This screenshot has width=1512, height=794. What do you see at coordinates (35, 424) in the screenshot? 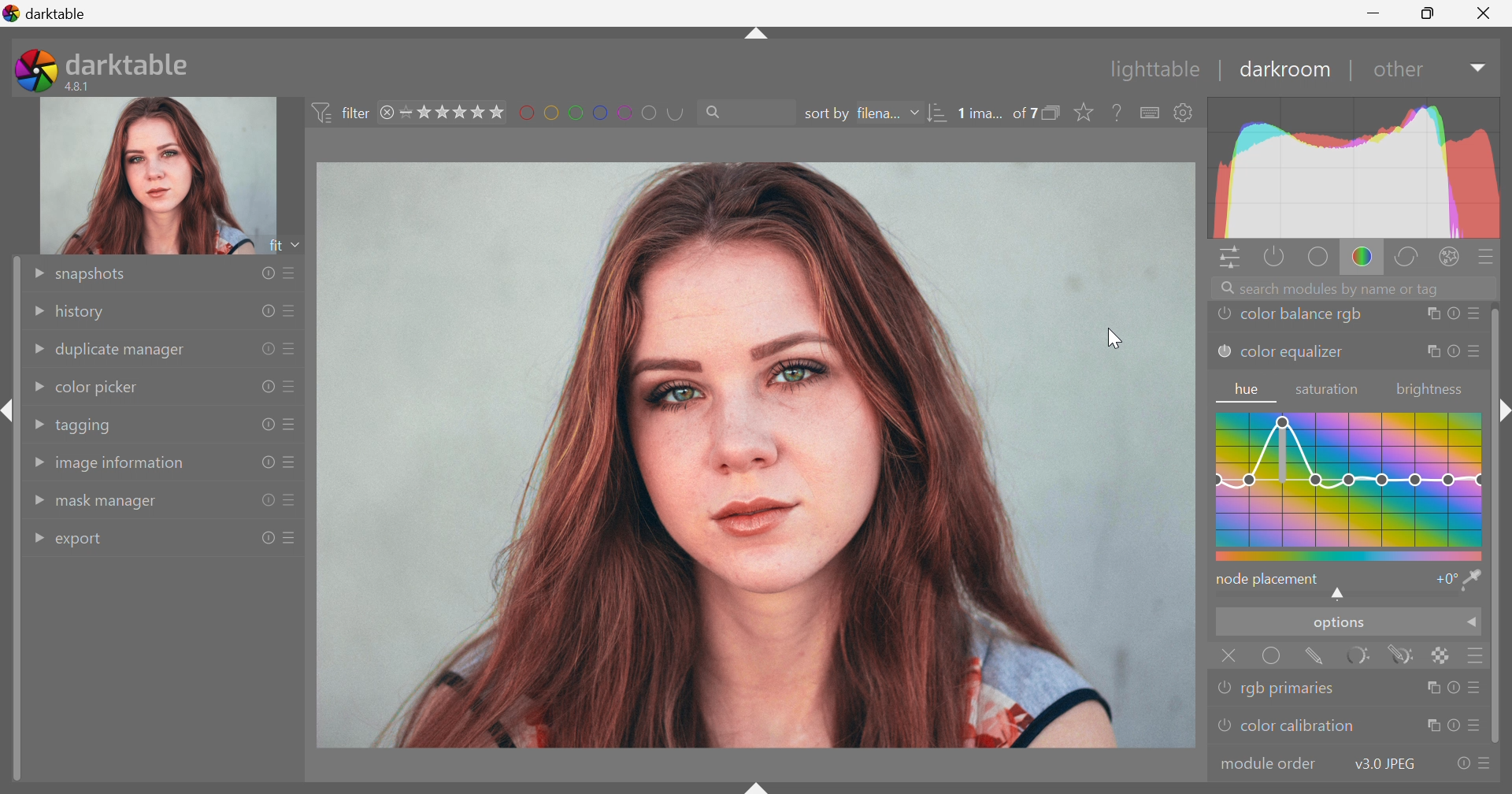
I see `Drop Down` at bounding box center [35, 424].